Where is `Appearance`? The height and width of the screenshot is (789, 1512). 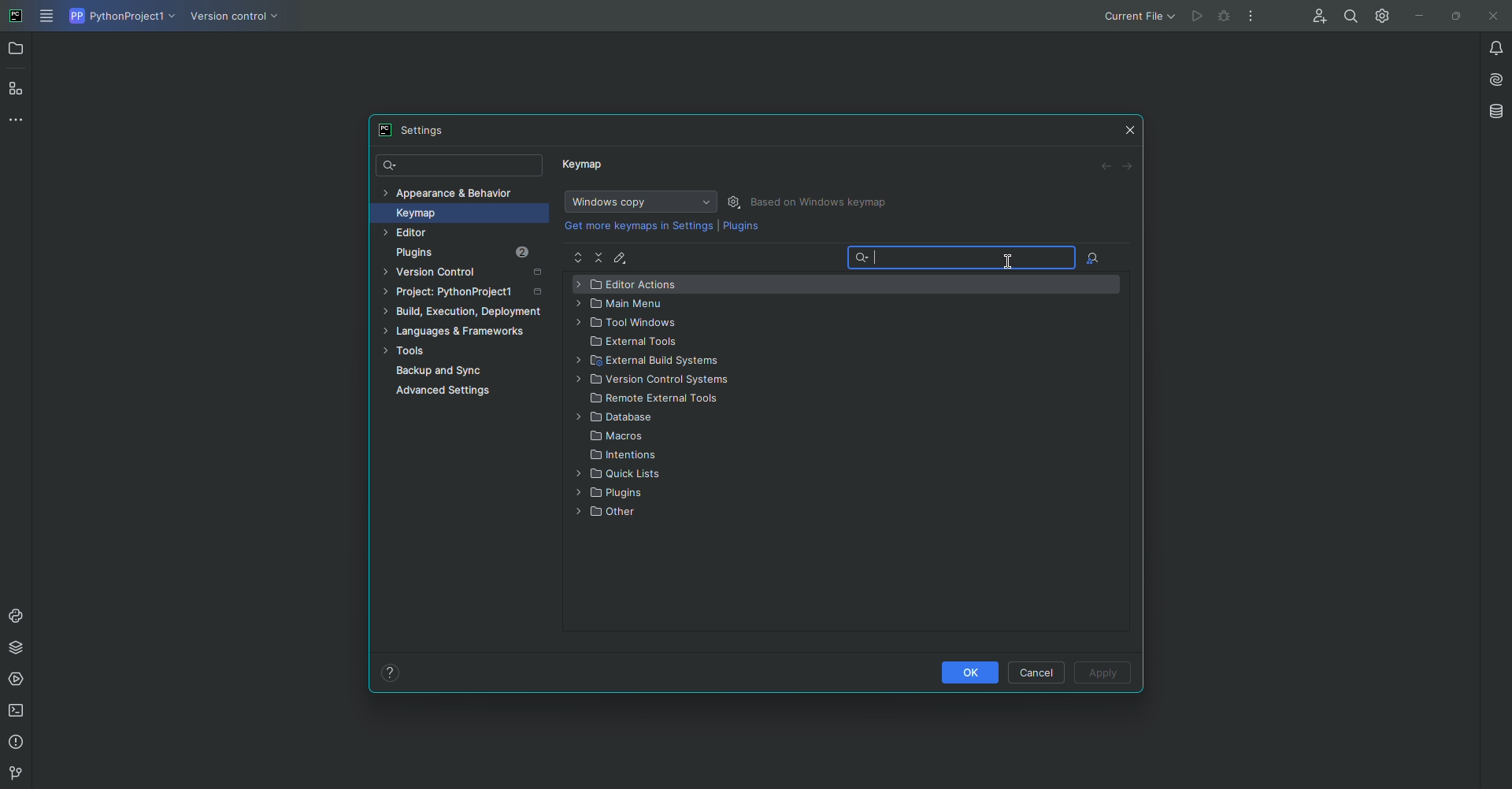 Appearance is located at coordinates (449, 191).